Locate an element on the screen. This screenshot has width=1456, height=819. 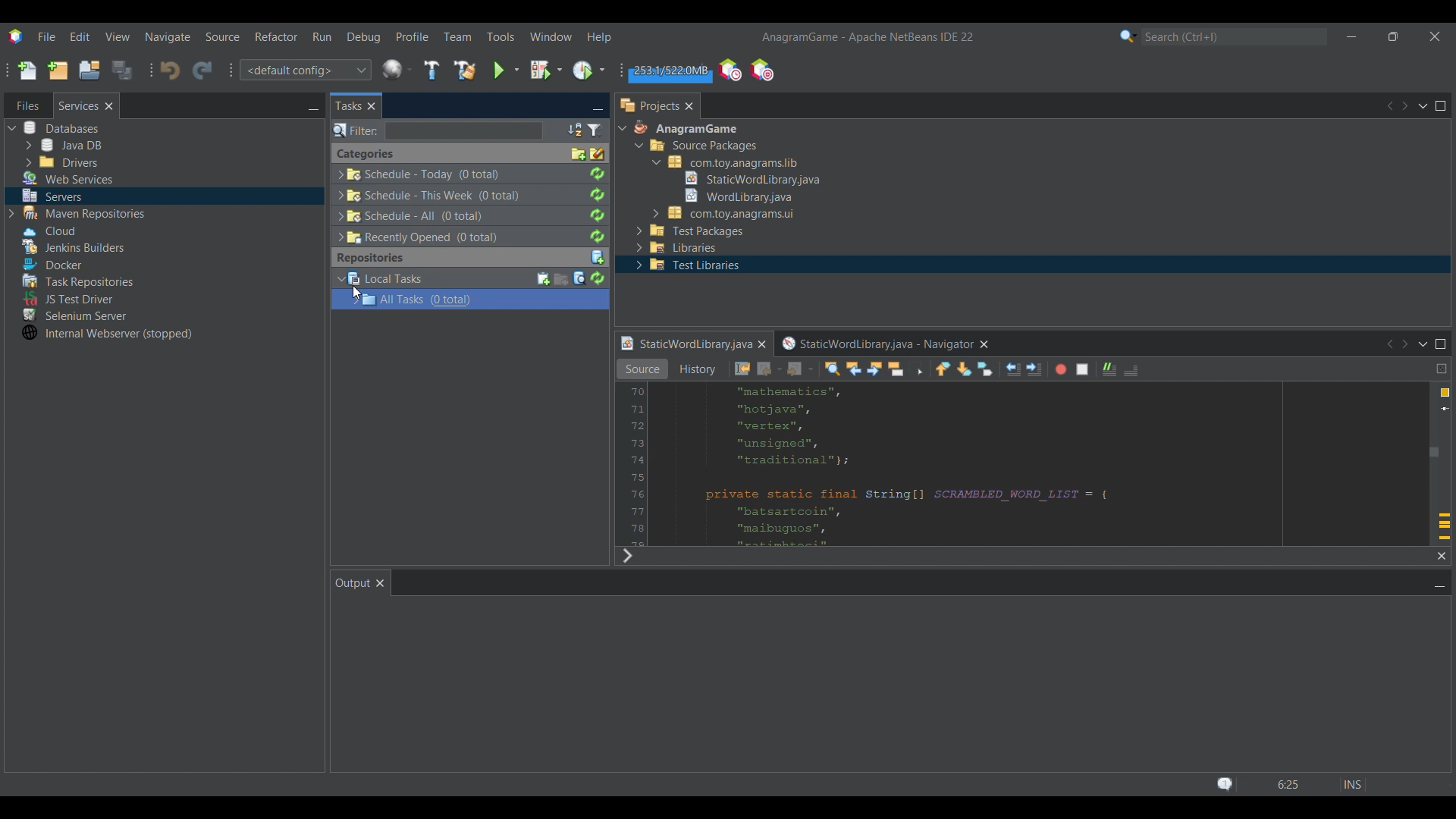
File menu is located at coordinates (46, 36).